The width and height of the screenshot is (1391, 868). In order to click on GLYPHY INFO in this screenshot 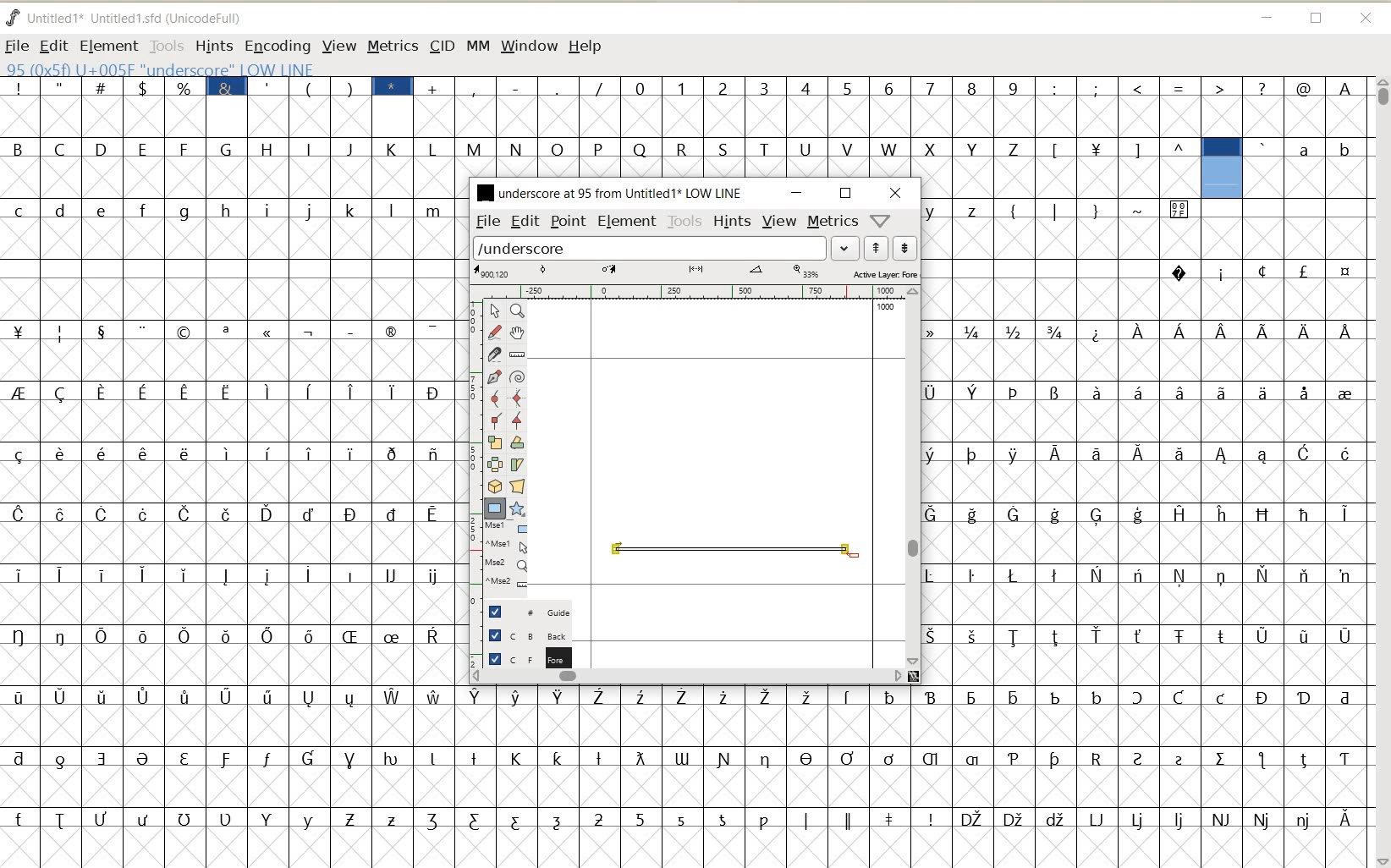, I will do `click(264, 68)`.